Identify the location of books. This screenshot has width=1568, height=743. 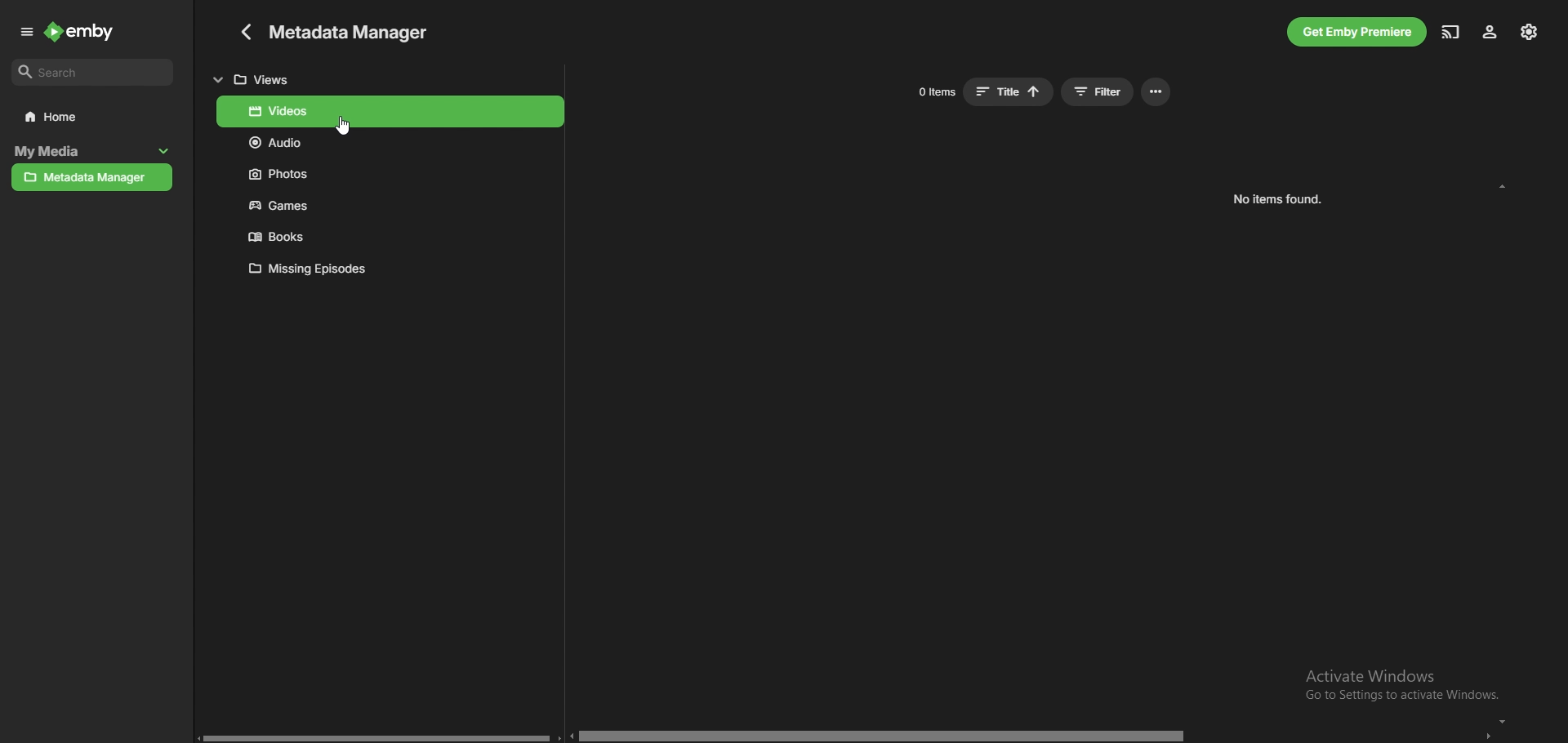
(385, 236).